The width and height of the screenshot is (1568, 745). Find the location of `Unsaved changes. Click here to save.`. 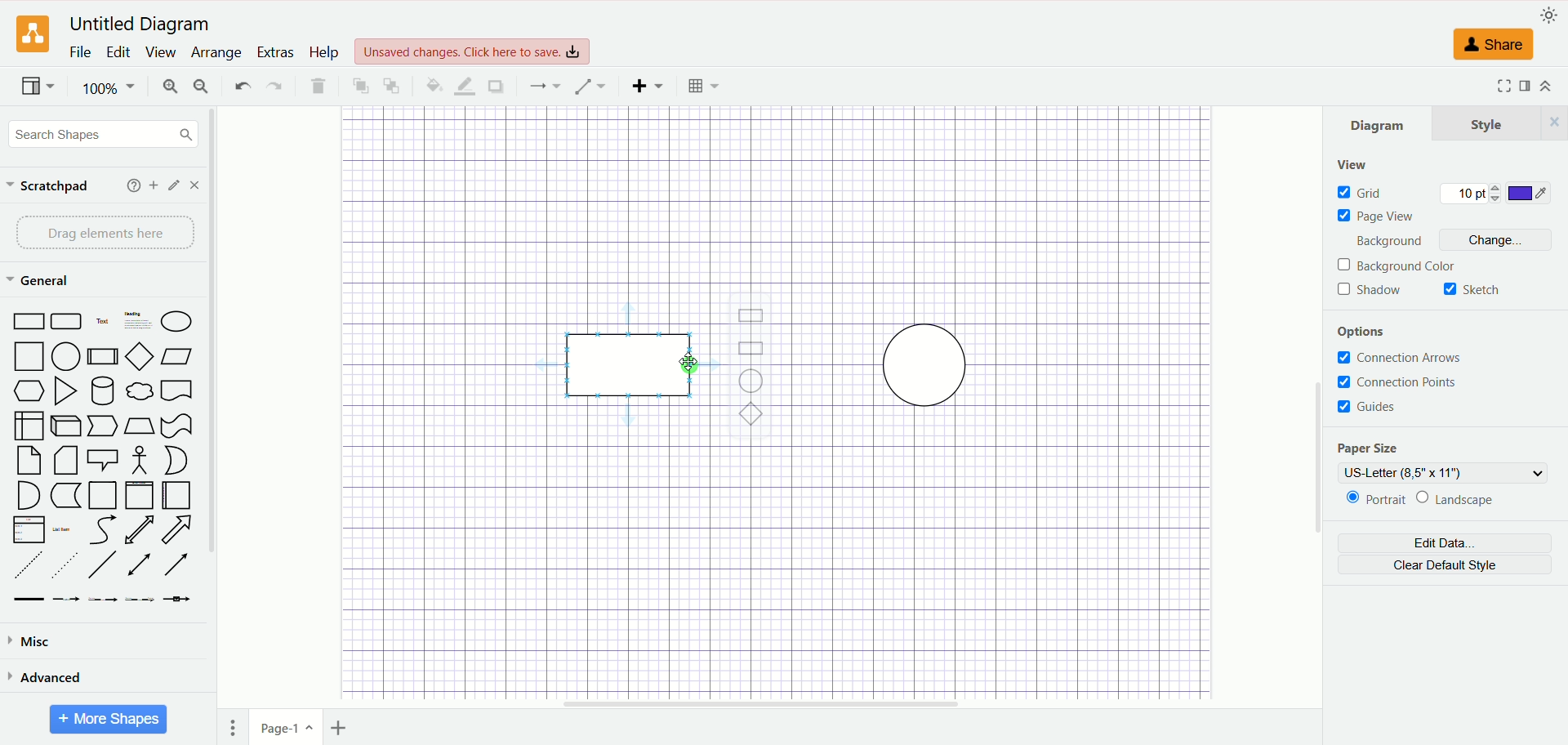

Unsaved changes. Click here to save. is located at coordinates (474, 51).